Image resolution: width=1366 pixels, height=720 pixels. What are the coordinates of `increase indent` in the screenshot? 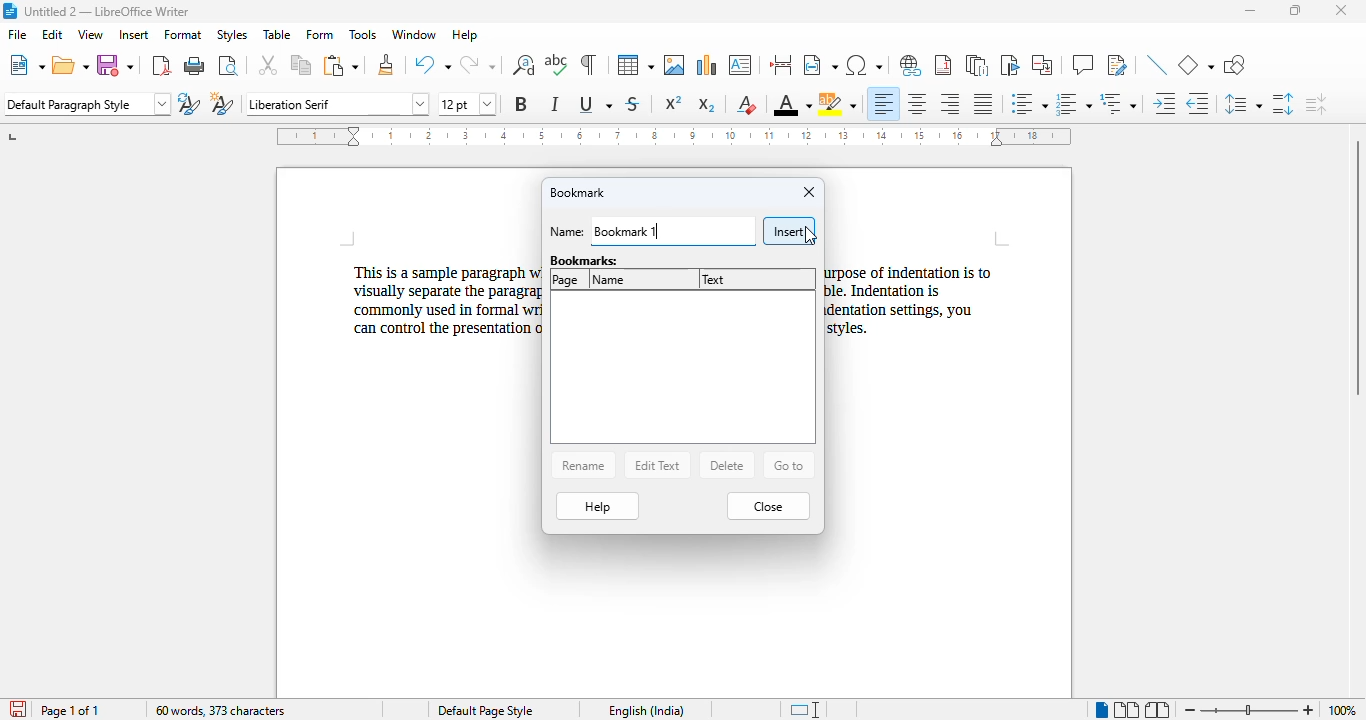 It's located at (1163, 103).